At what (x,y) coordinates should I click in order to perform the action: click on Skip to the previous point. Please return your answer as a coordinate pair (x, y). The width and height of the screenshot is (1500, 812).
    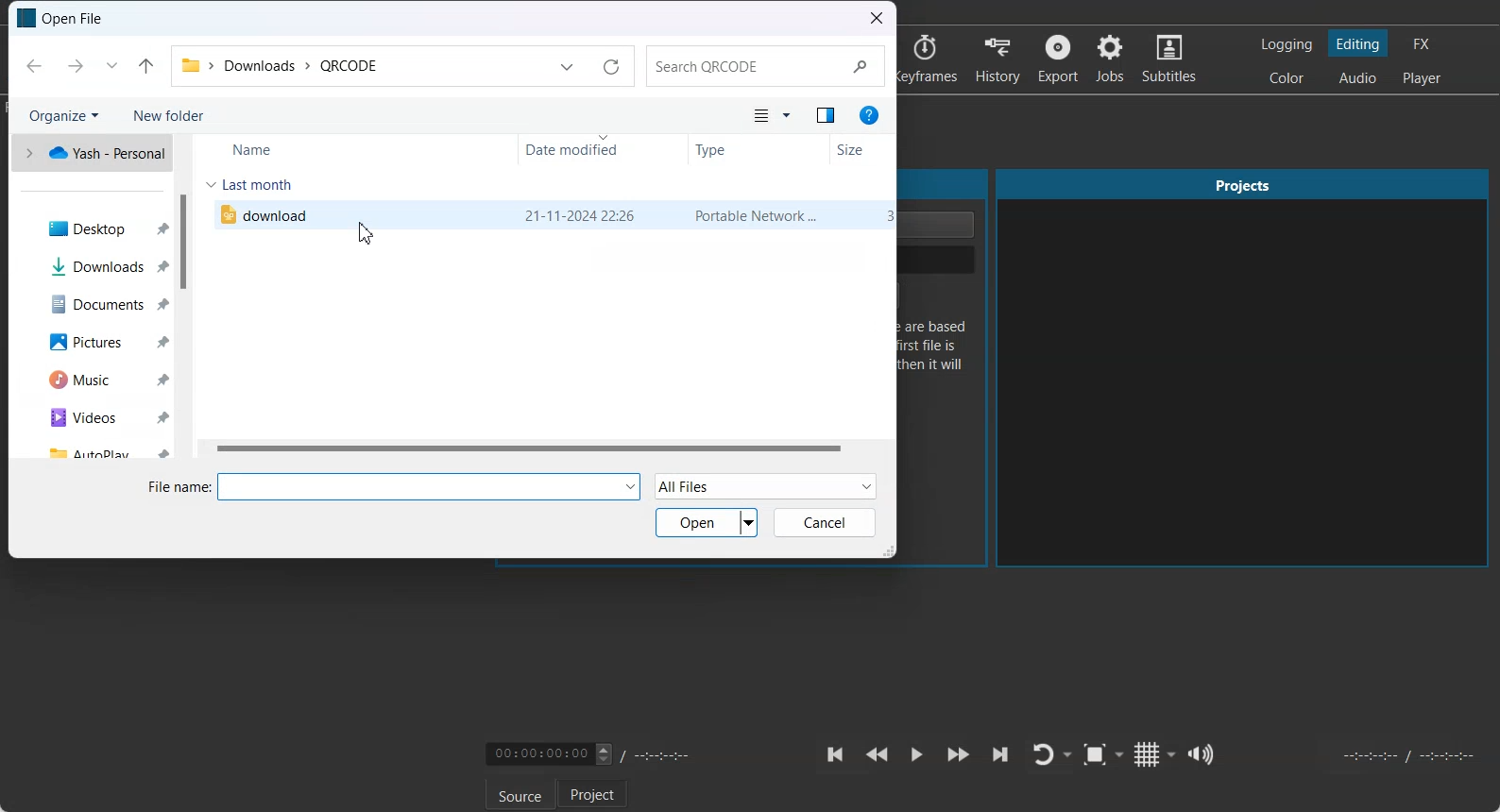
    Looking at the image, I should click on (836, 753).